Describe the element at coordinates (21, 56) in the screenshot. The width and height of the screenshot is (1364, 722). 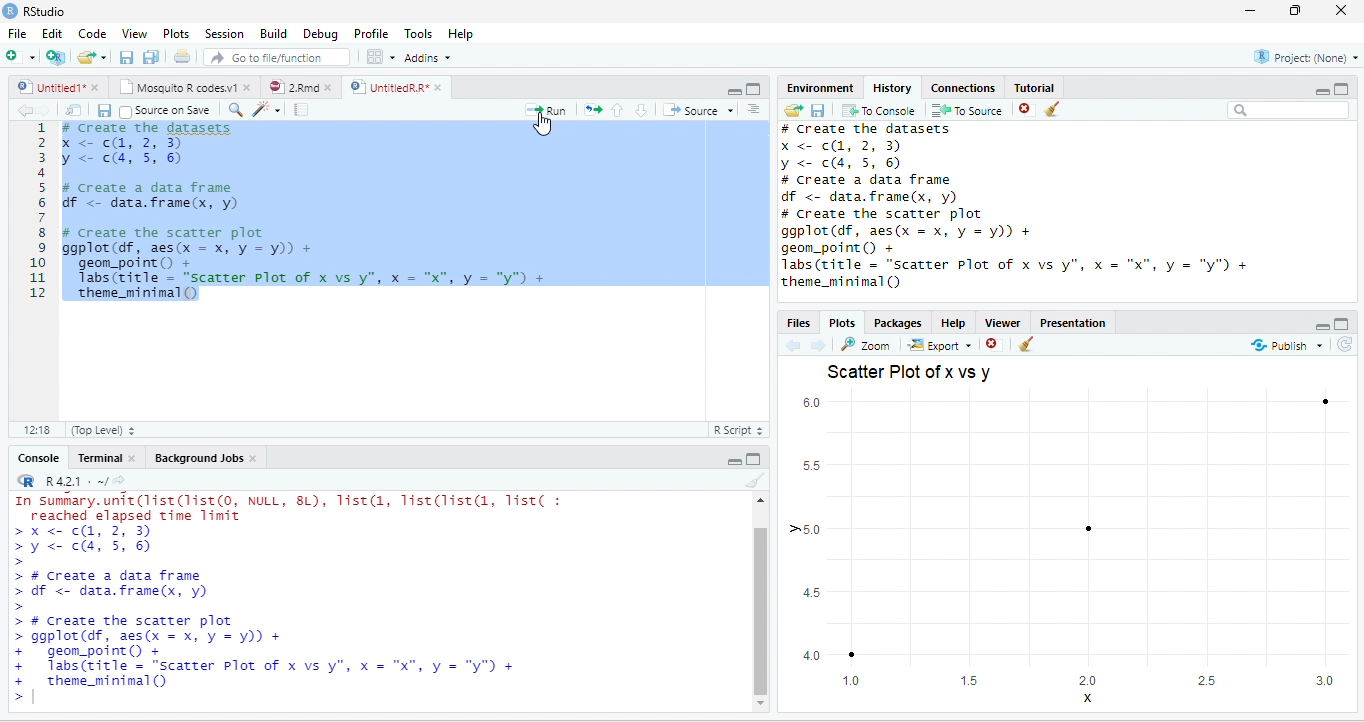
I see `New file` at that location.